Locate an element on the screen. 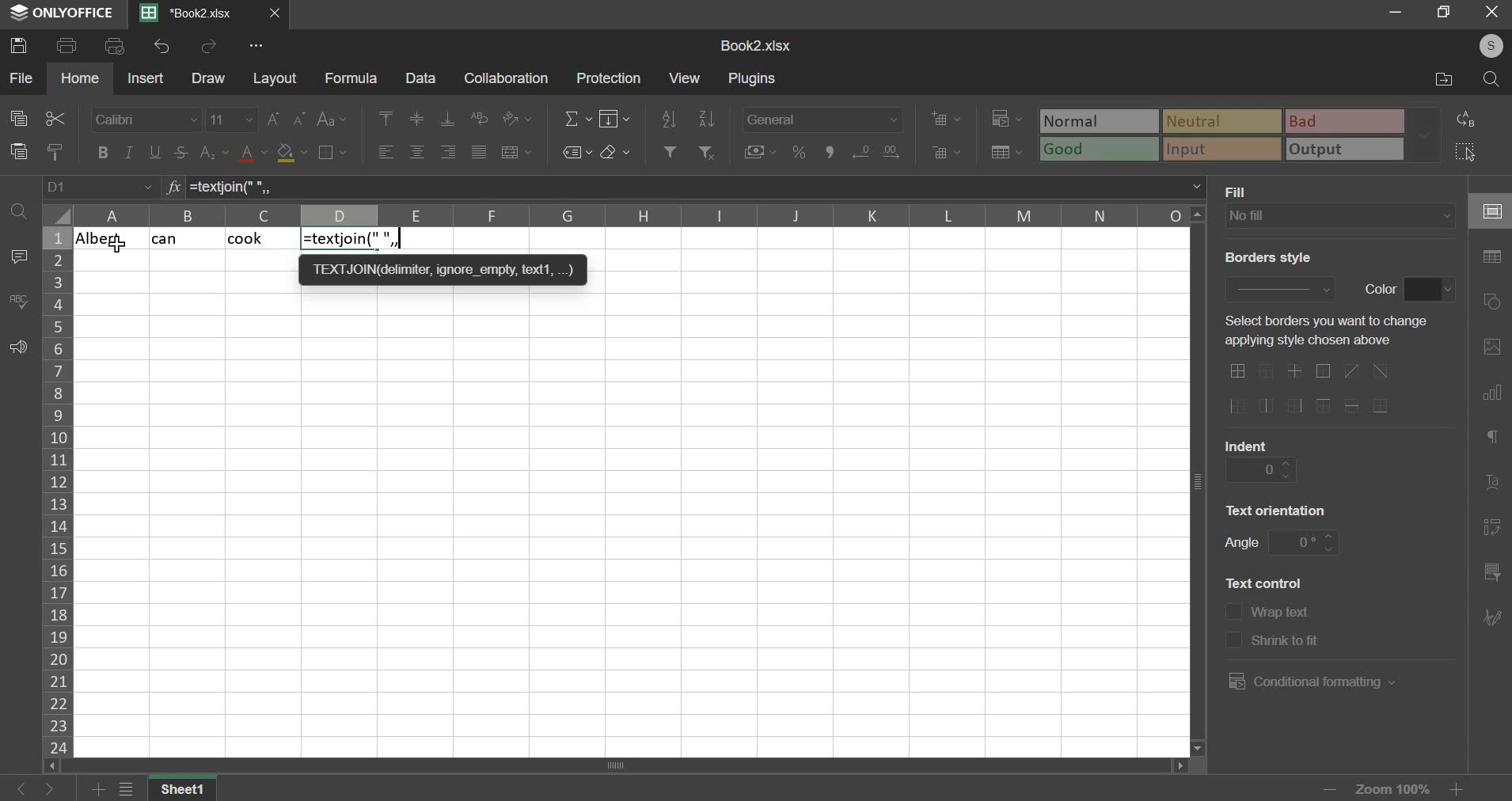 The height and width of the screenshot is (801, 1512). go forward is located at coordinates (61, 789).